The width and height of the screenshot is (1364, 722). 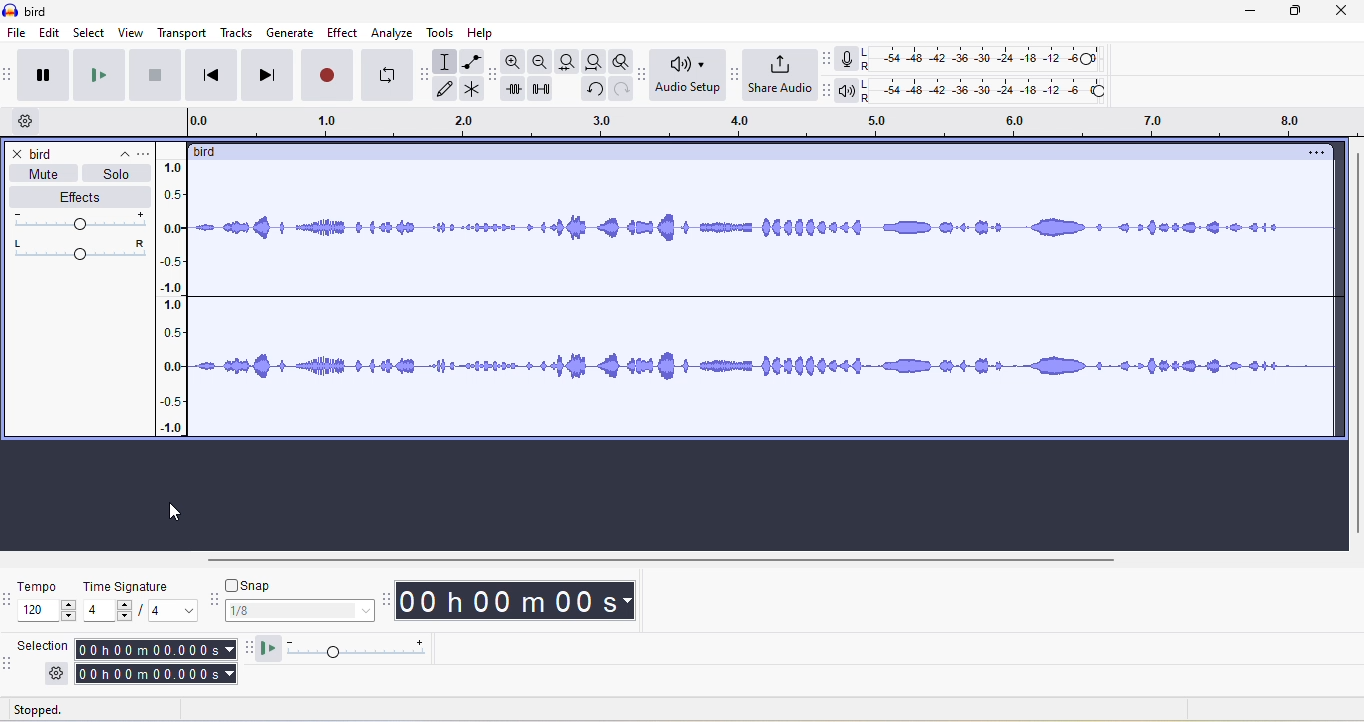 I want to click on transport, so click(x=183, y=33).